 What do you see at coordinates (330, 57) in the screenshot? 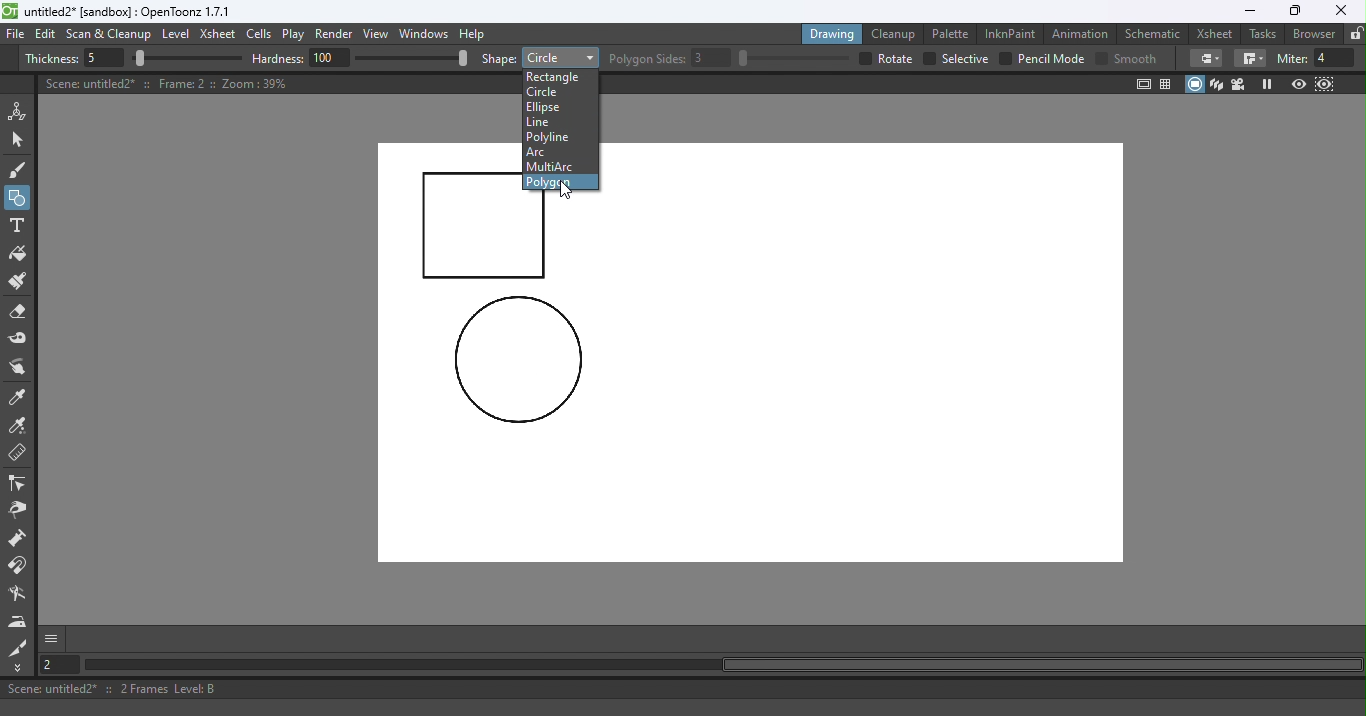
I see `100` at bounding box center [330, 57].